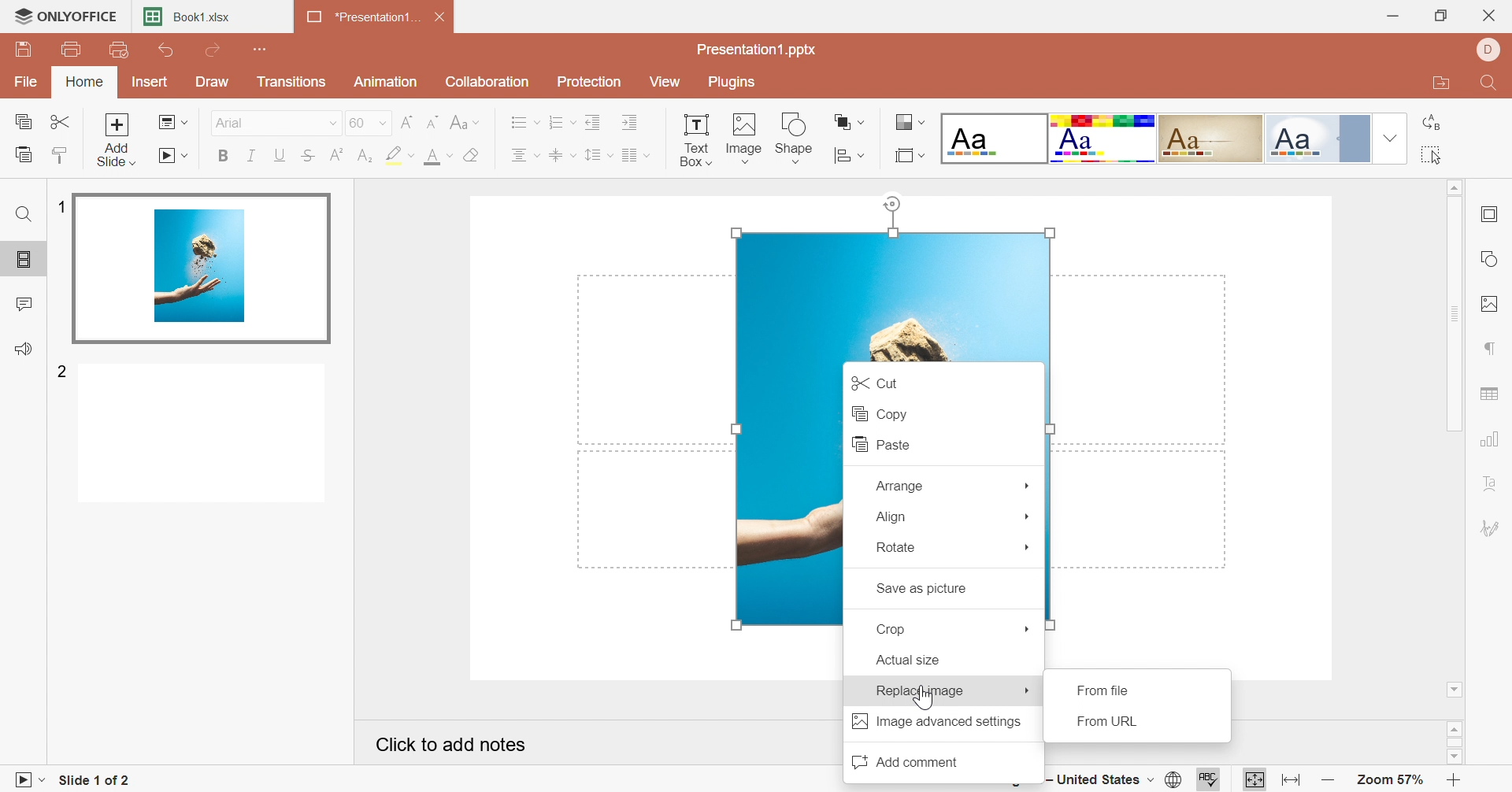 This screenshot has height=792, width=1512. What do you see at coordinates (936, 722) in the screenshot?
I see `Image advanced settings` at bounding box center [936, 722].